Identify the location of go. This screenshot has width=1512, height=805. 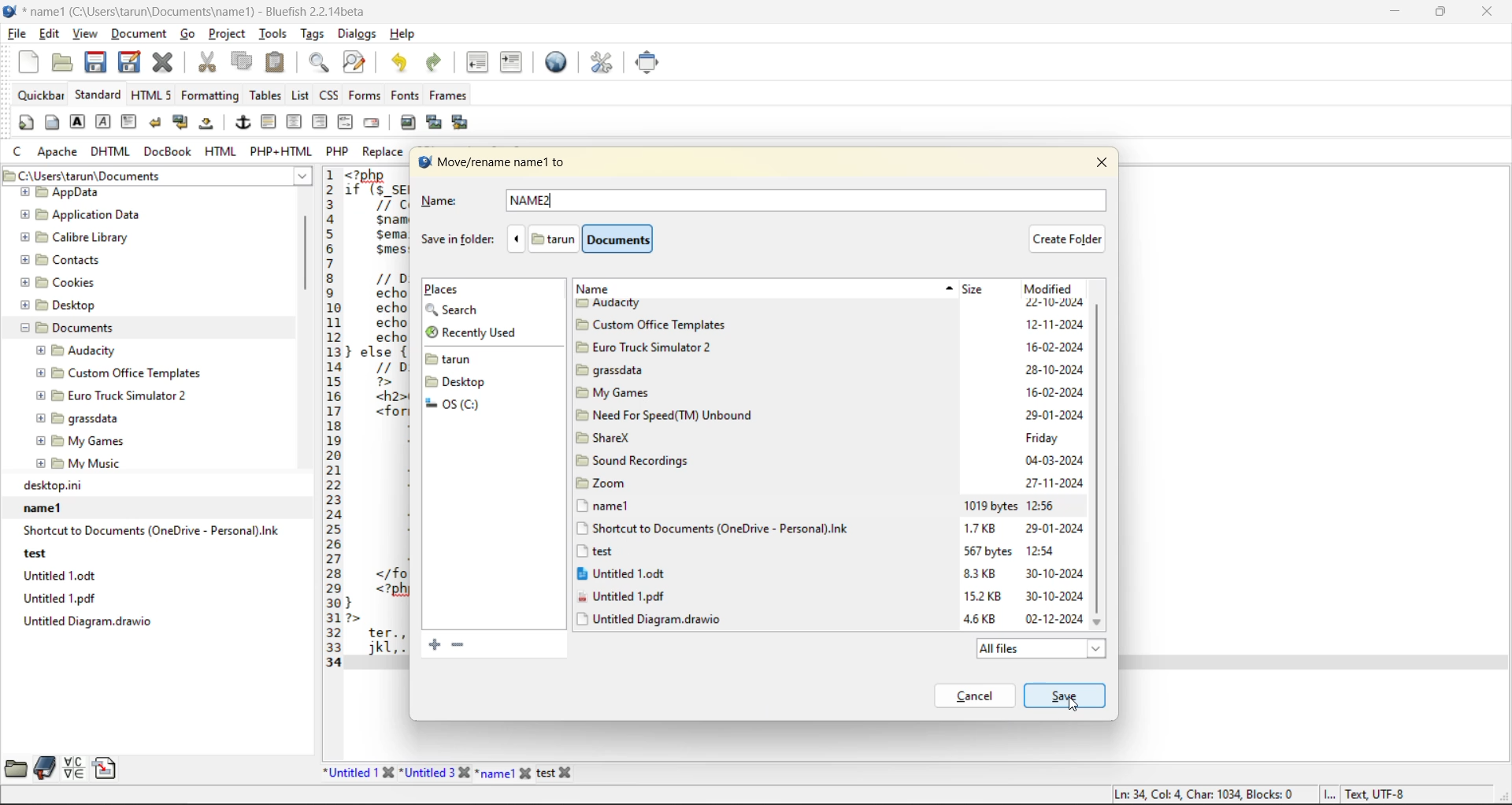
(187, 35).